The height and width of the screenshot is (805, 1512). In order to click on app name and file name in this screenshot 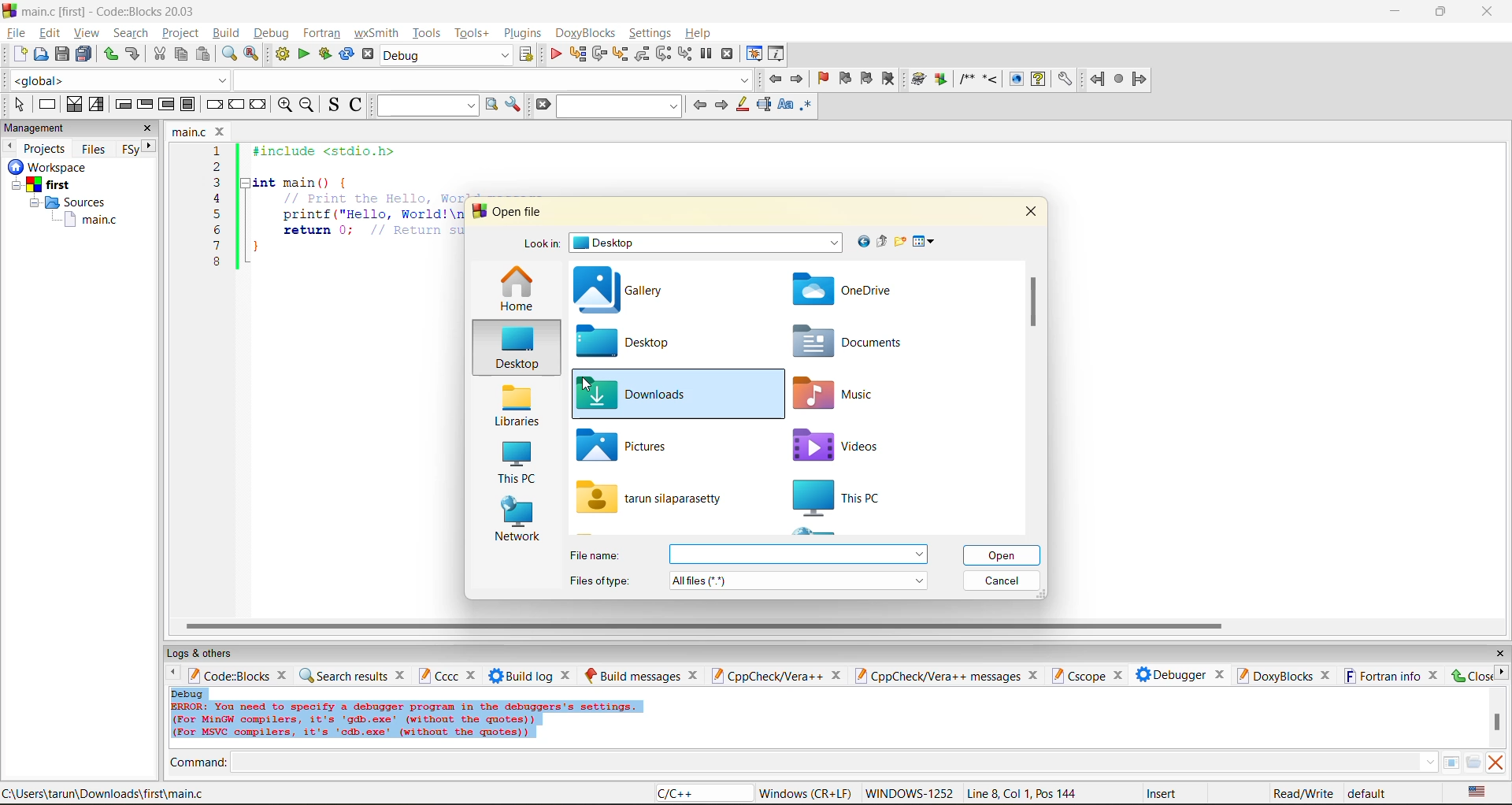, I will do `click(112, 10)`.